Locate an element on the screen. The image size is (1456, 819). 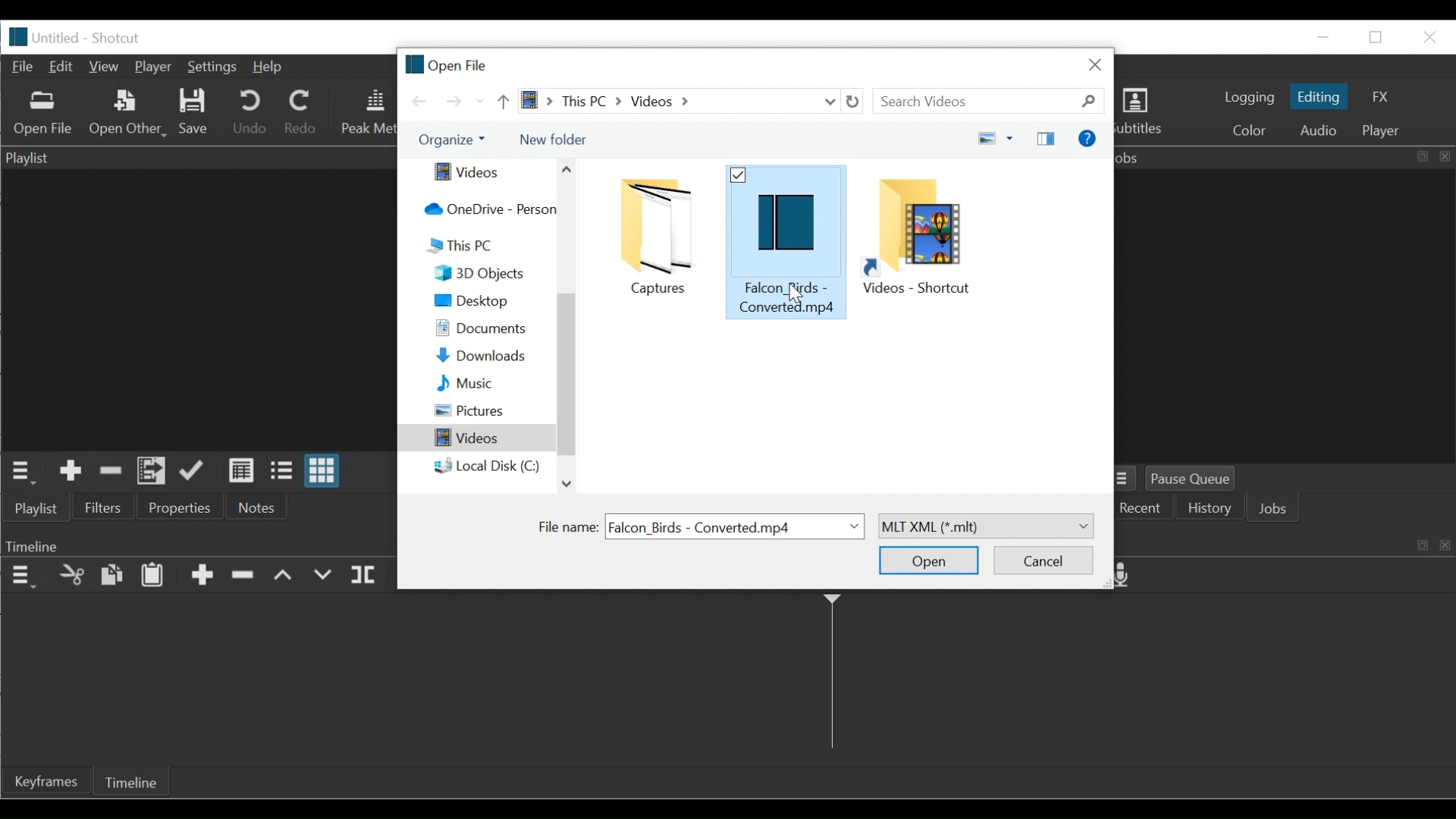
Save is located at coordinates (192, 114).